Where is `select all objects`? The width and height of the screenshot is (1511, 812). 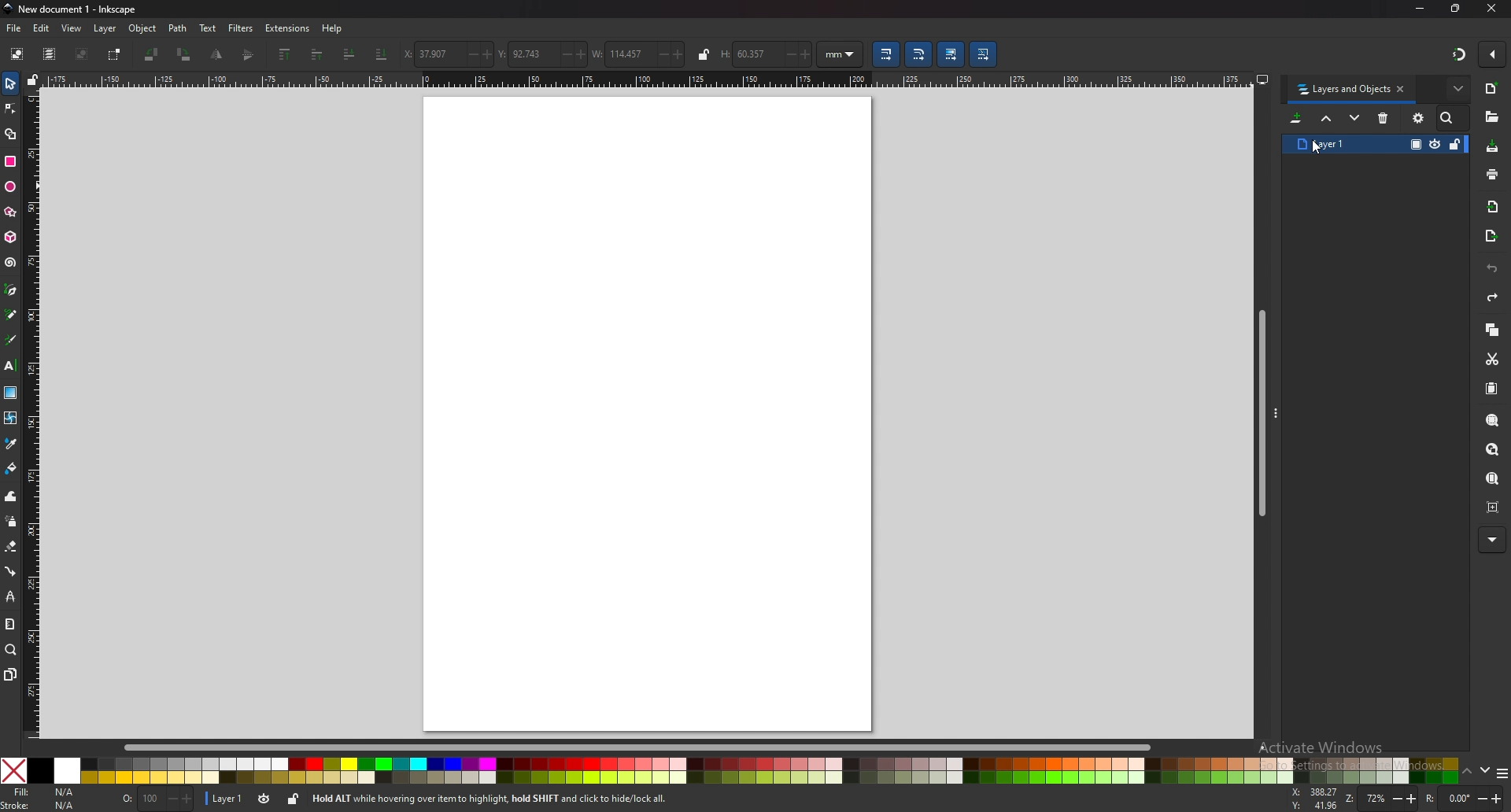
select all objects is located at coordinates (17, 53).